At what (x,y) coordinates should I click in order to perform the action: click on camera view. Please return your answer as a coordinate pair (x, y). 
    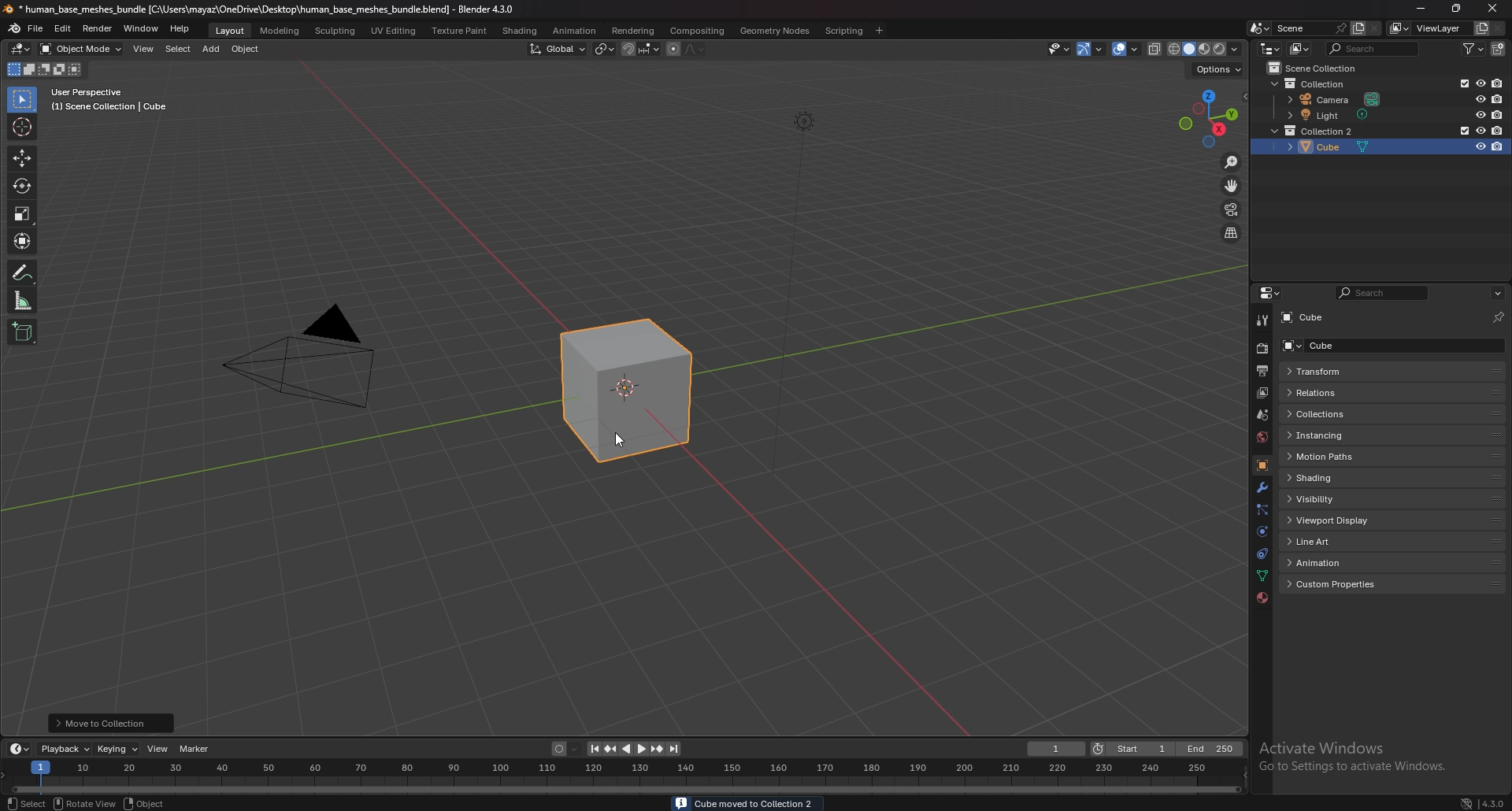
    Looking at the image, I should click on (1231, 209).